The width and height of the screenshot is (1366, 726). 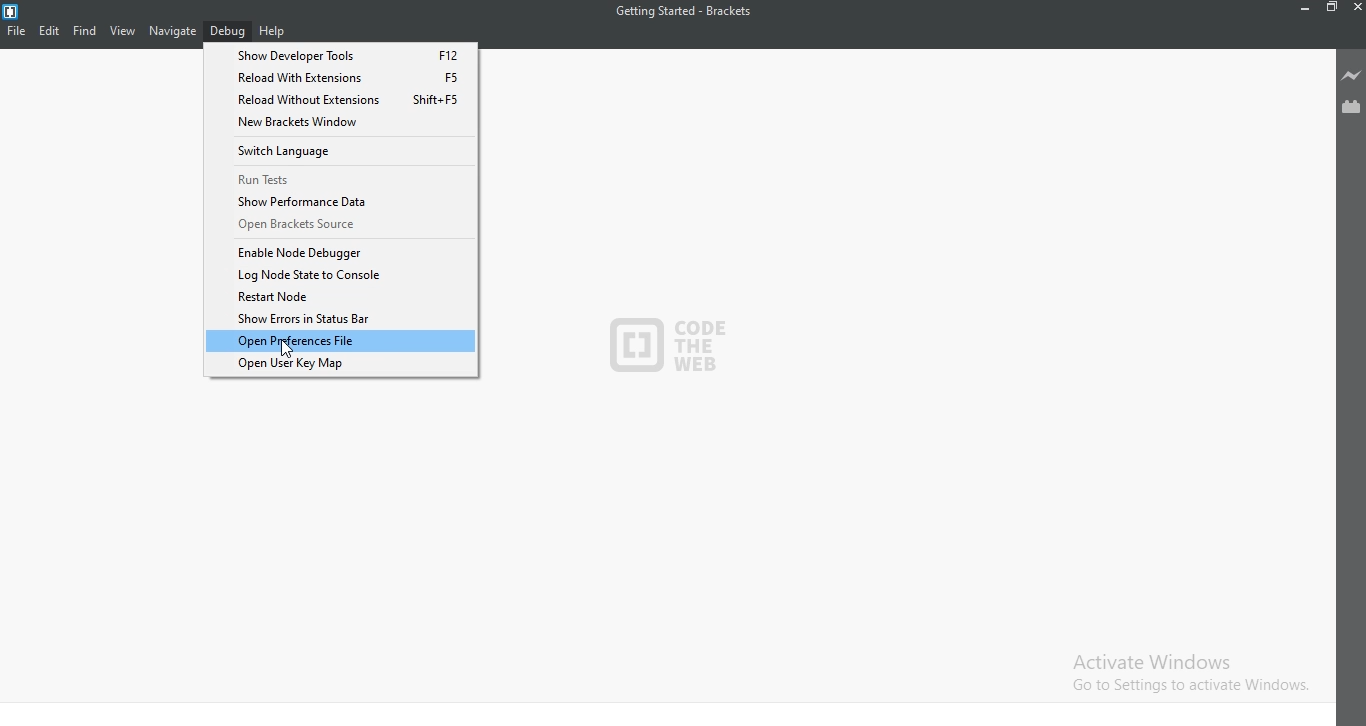 I want to click on Activate Windows. Go to settings to activate windows., so click(x=1180, y=672).